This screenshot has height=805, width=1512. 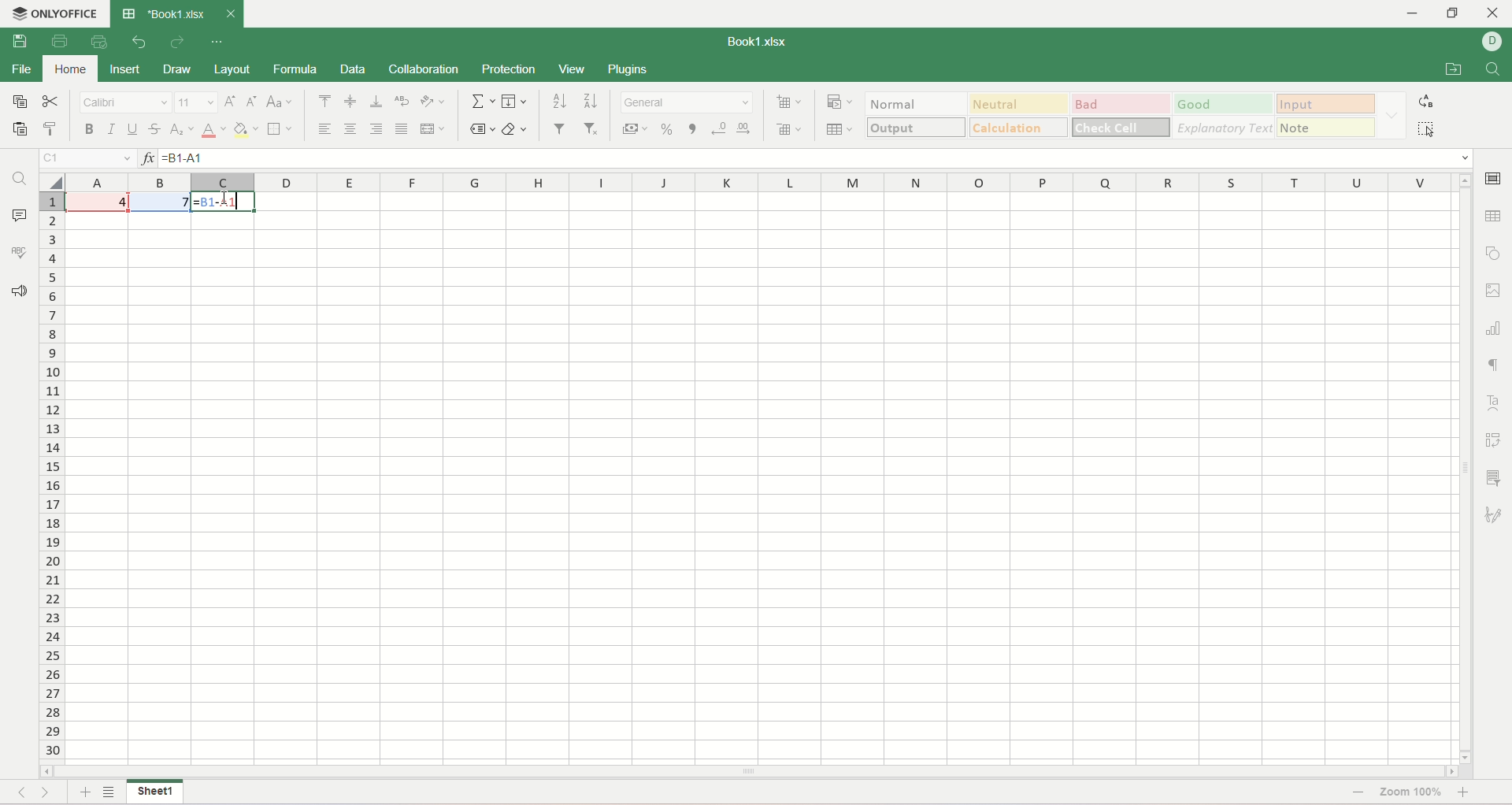 I want to click on minimize, so click(x=1417, y=14).